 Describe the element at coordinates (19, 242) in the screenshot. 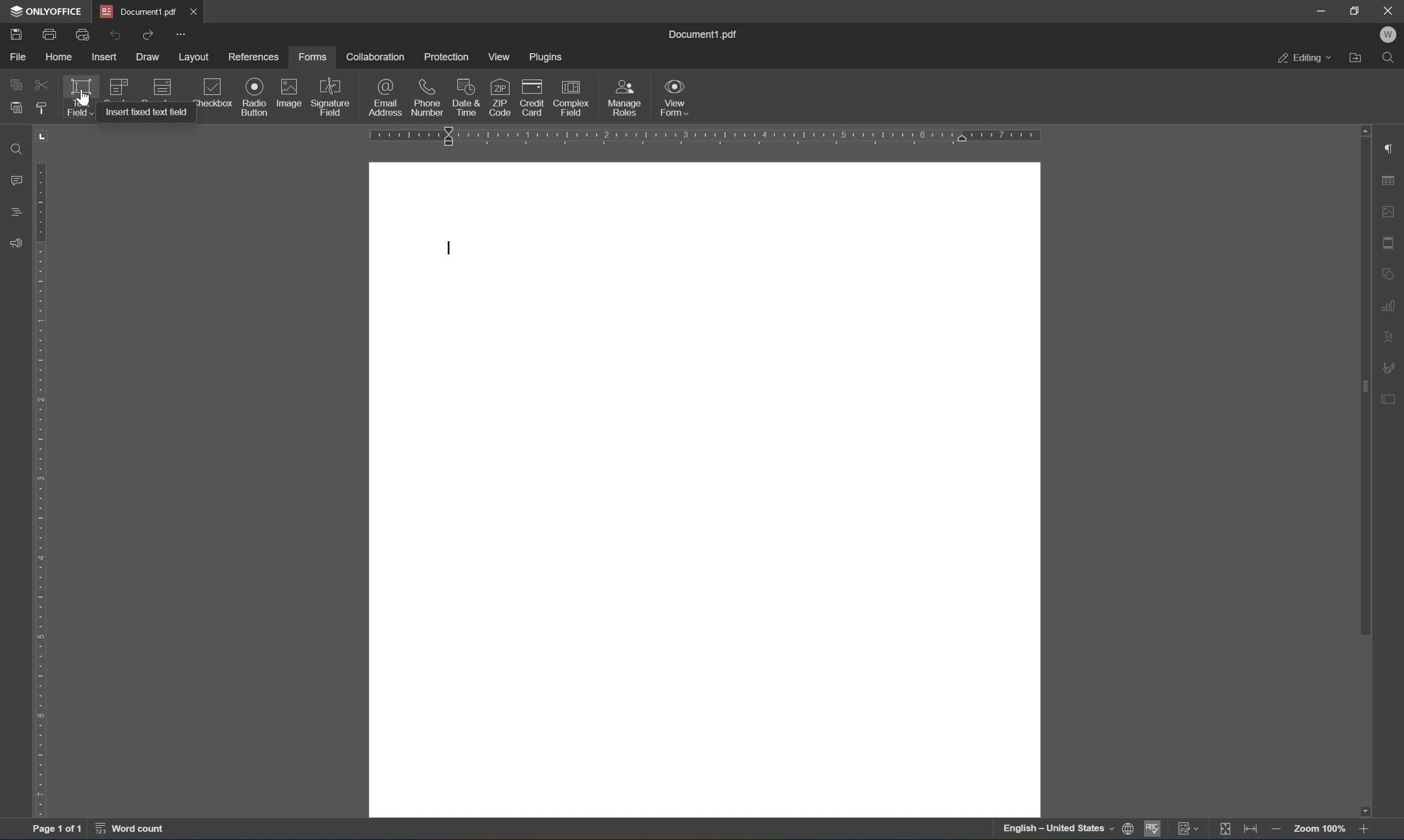

I see `feedback & support` at that location.